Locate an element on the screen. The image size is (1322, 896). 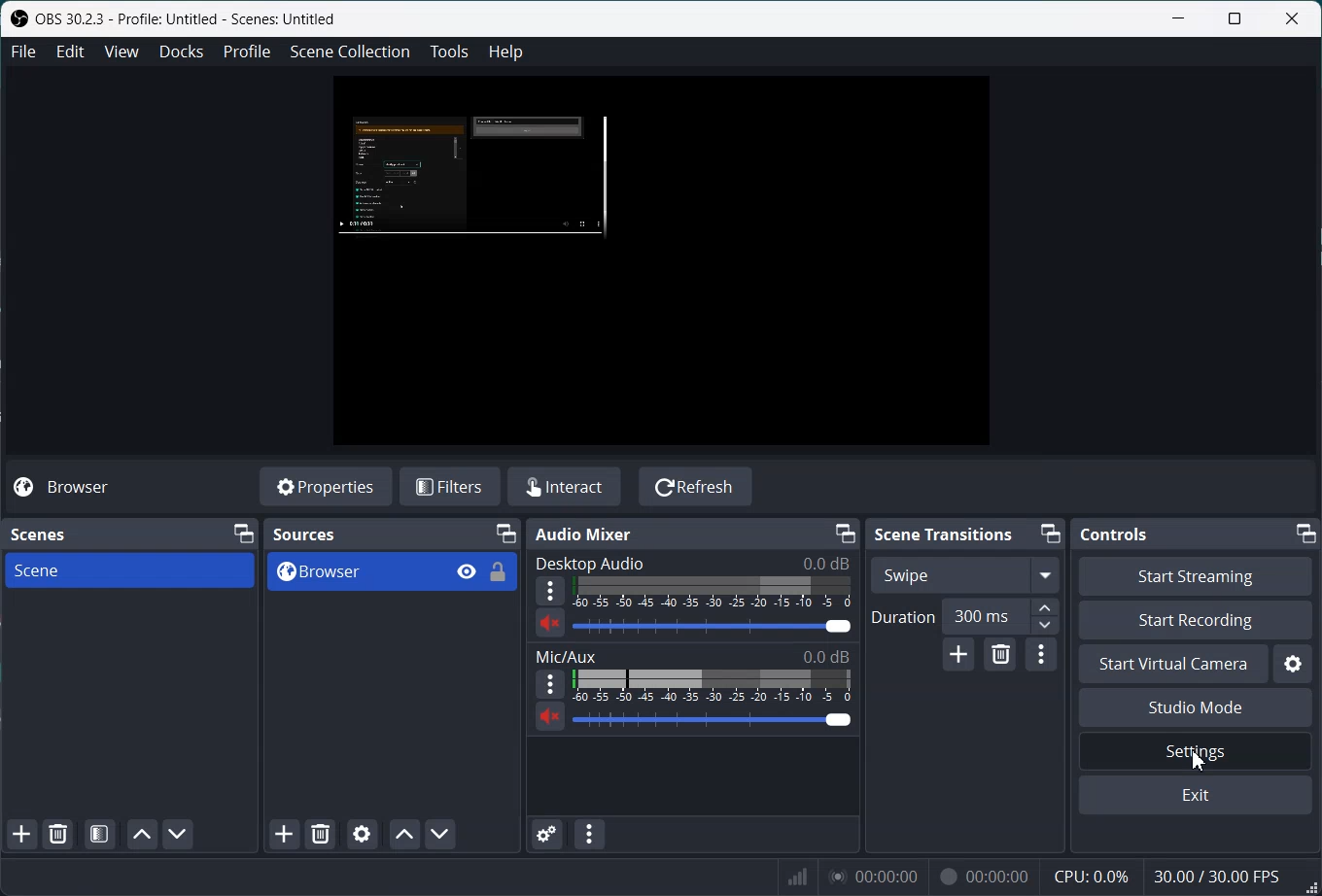
Help is located at coordinates (506, 52).